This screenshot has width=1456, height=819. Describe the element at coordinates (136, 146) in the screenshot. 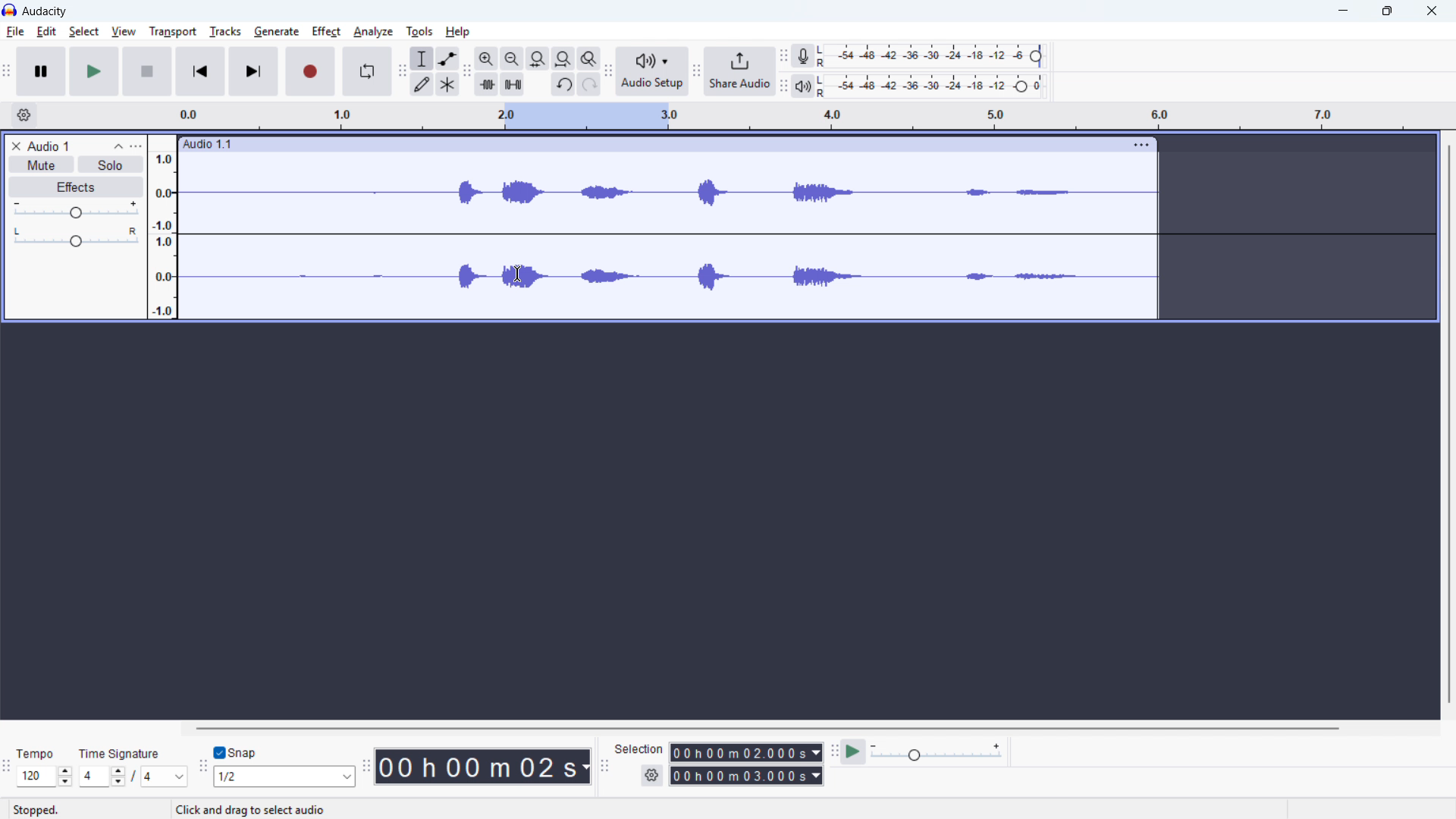

I see `Trap control panel menu` at that location.